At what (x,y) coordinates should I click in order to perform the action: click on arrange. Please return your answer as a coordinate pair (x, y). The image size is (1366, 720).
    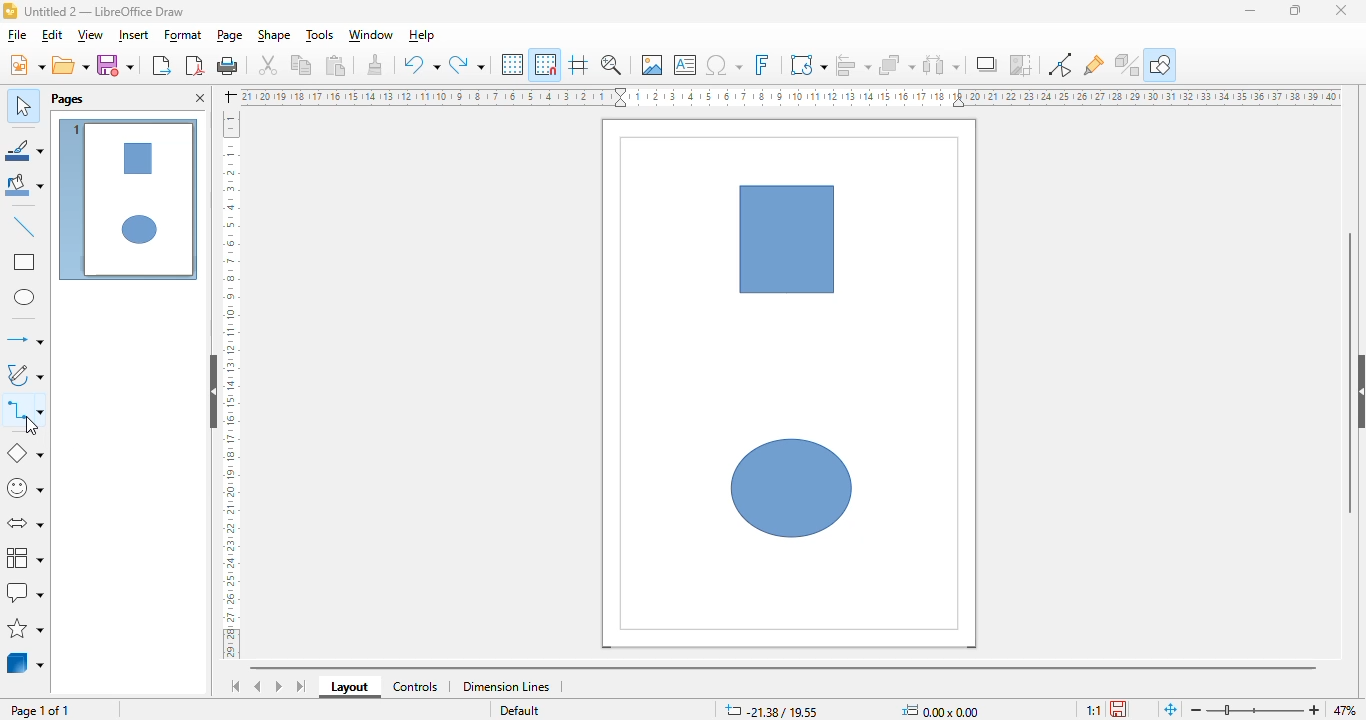
    Looking at the image, I should click on (897, 65).